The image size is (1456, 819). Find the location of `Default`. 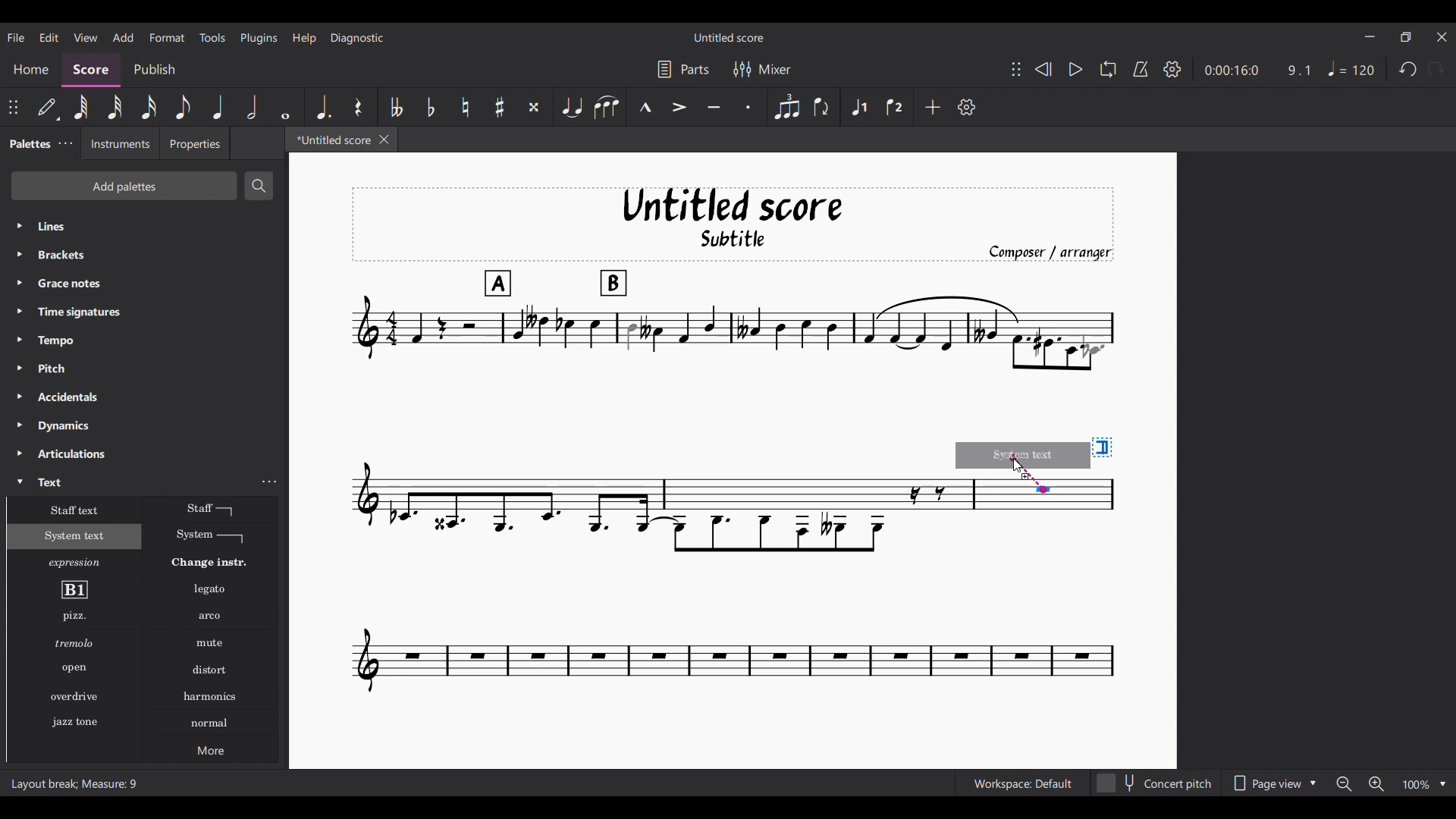

Default is located at coordinates (48, 107).